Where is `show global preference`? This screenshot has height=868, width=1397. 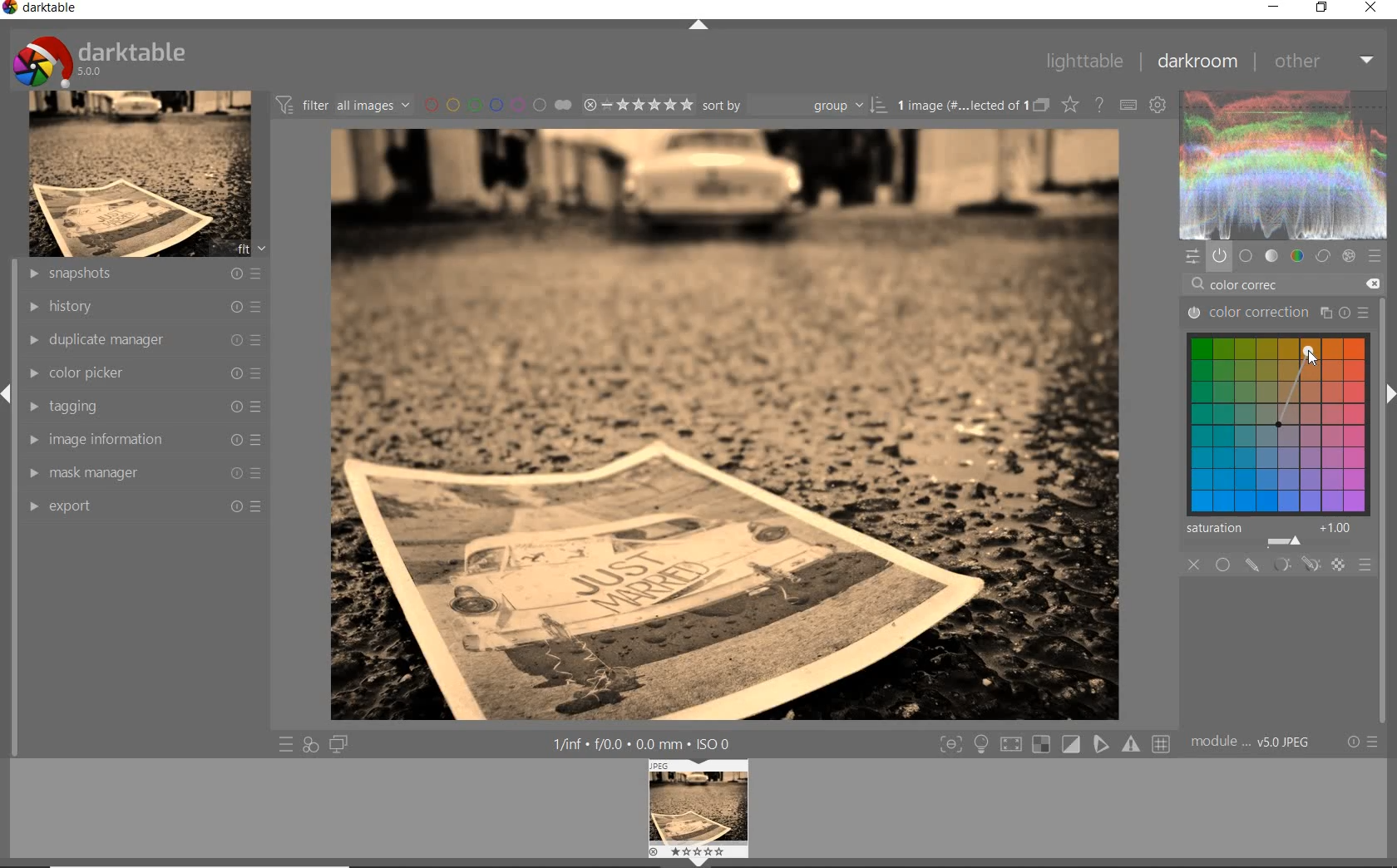 show global preference is located at coordinates (1156, 106).